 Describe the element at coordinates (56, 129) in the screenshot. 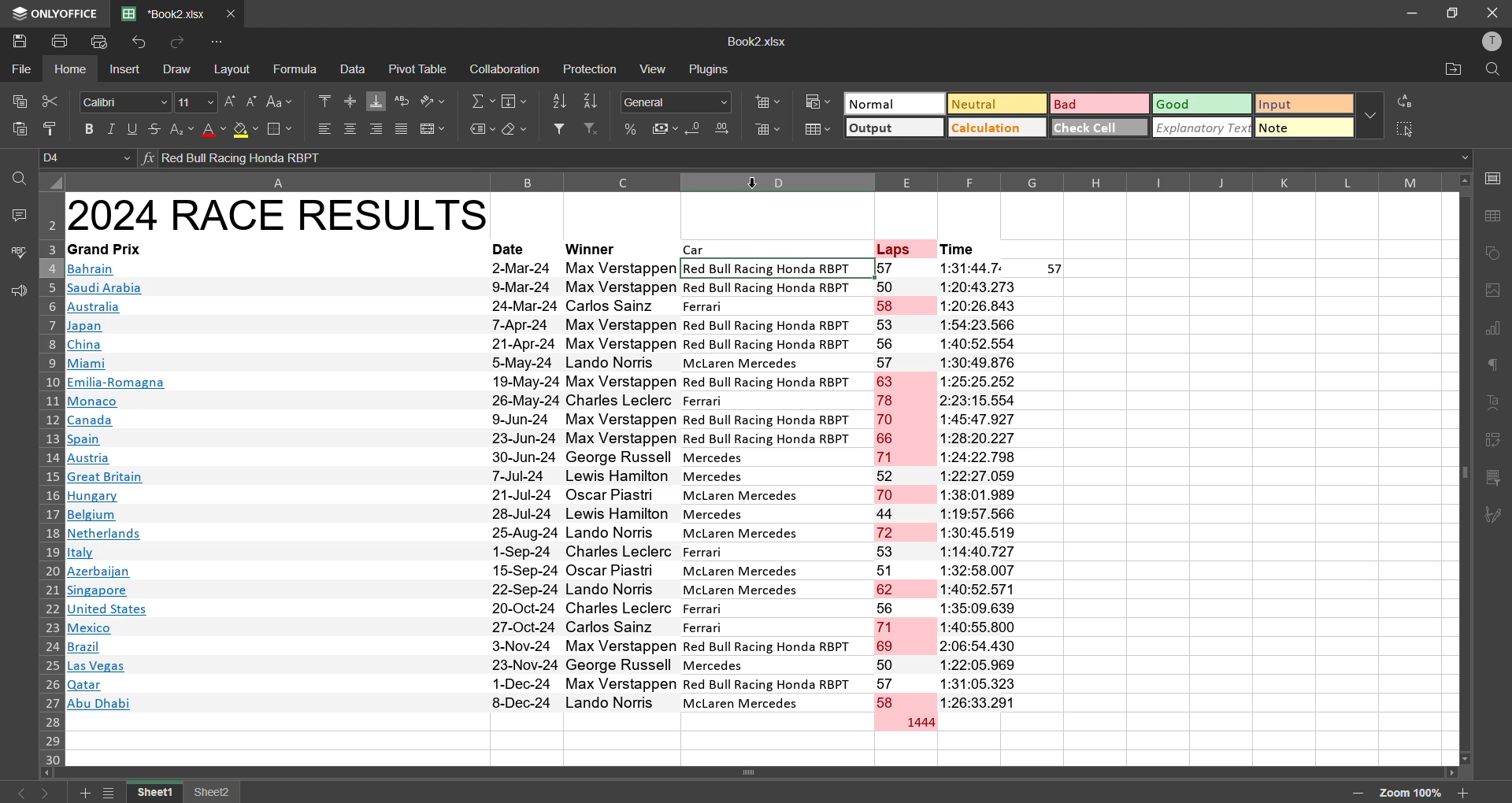

I see `copy style` at that location.